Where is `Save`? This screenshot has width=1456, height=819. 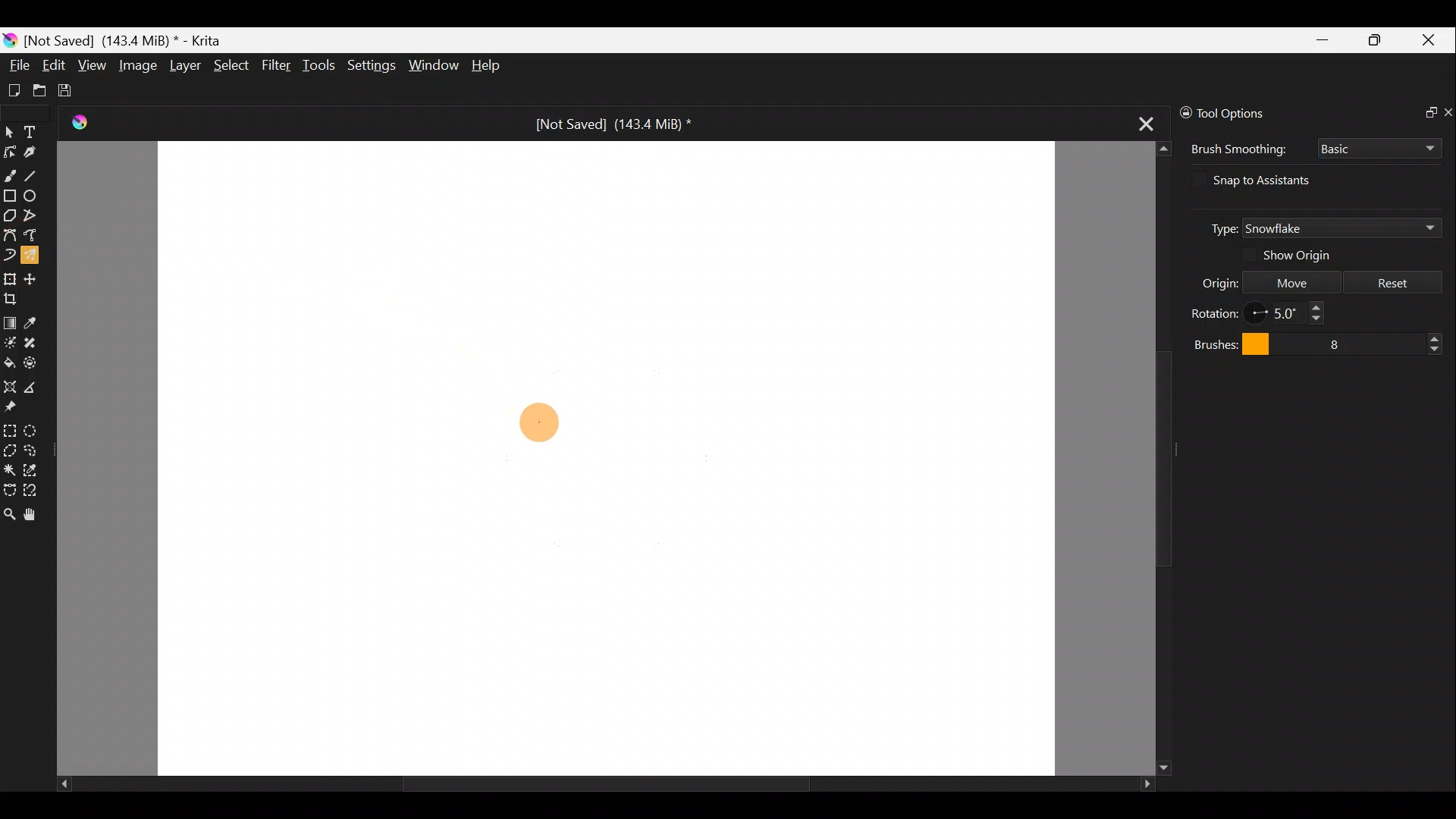
Save is located at coordinates (70, 91).